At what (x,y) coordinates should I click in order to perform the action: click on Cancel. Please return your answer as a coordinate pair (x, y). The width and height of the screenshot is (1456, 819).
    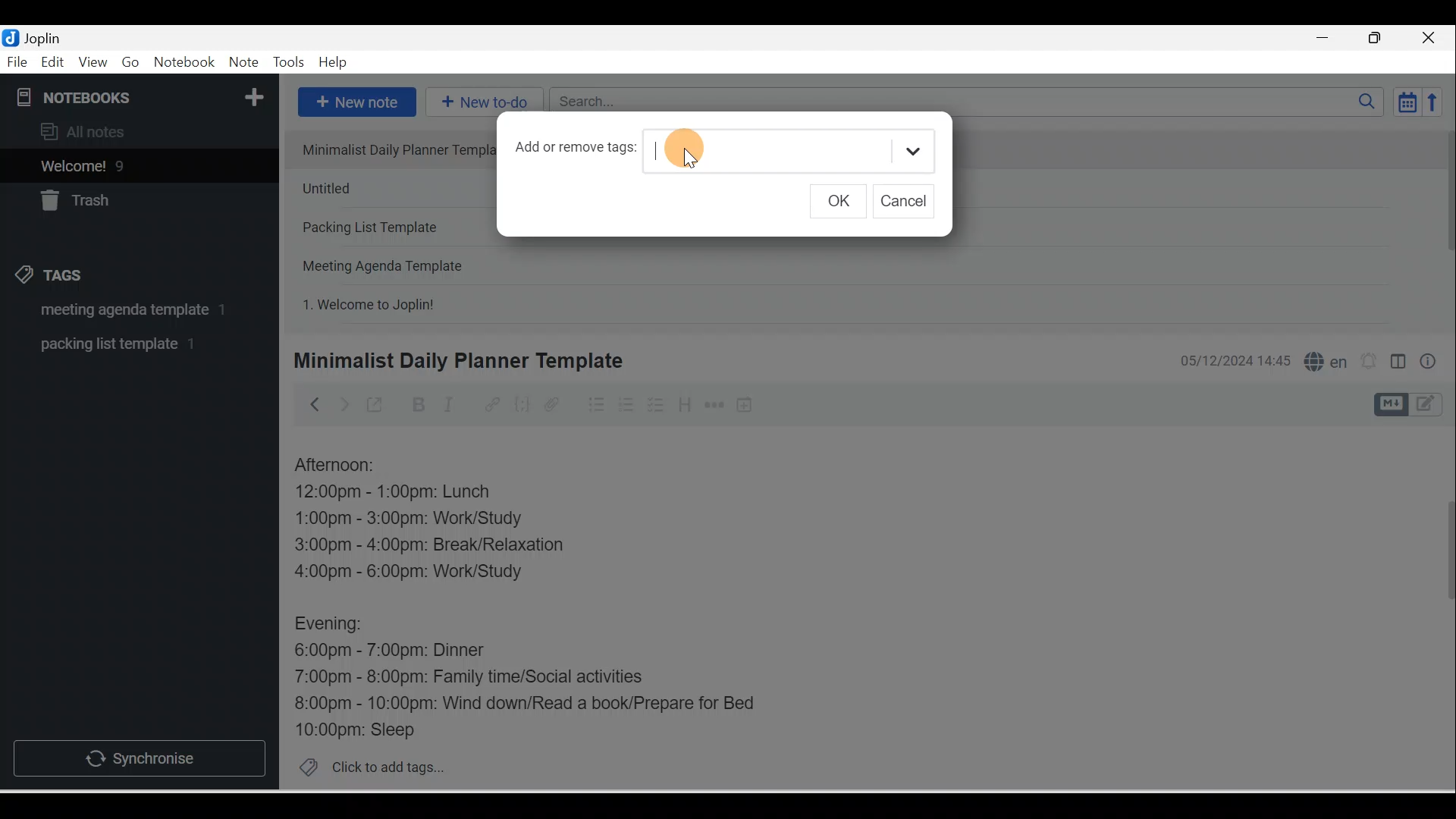
    Looking at the image, I should click on (909, 202).